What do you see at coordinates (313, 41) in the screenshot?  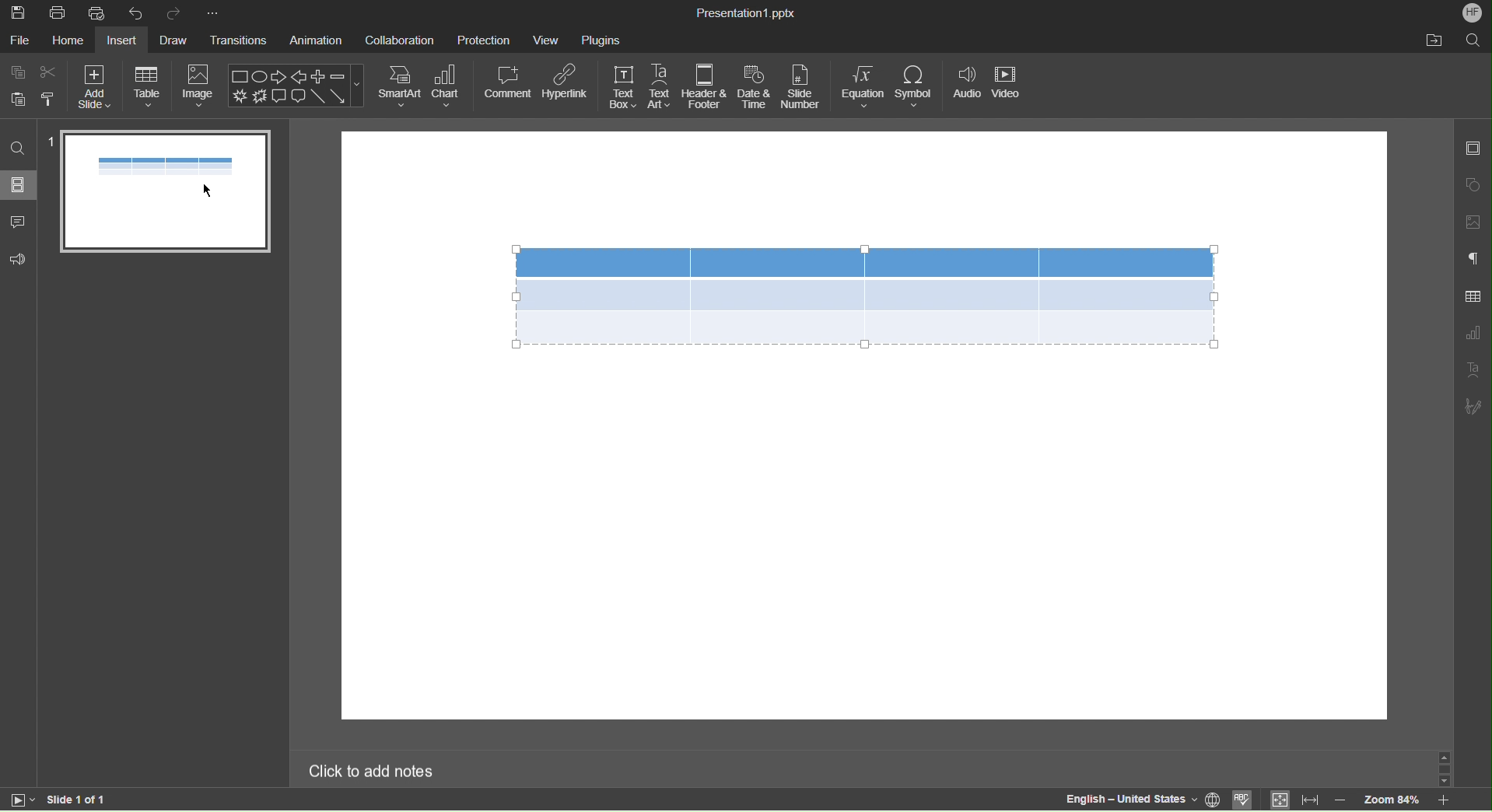 I see `Animation` at bounding box center [313, 41].